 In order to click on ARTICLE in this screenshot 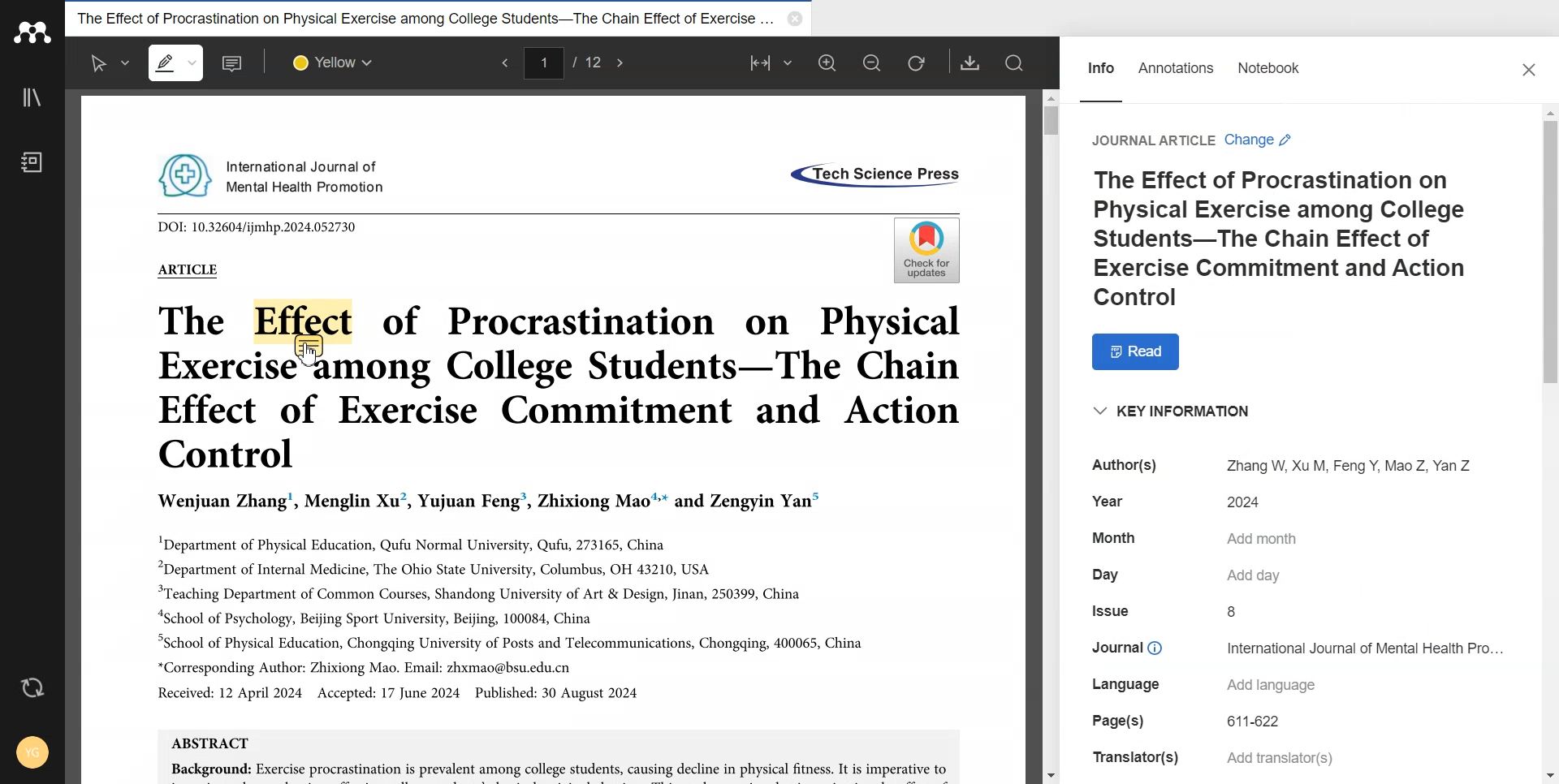, I will do `click(187, 269)`.